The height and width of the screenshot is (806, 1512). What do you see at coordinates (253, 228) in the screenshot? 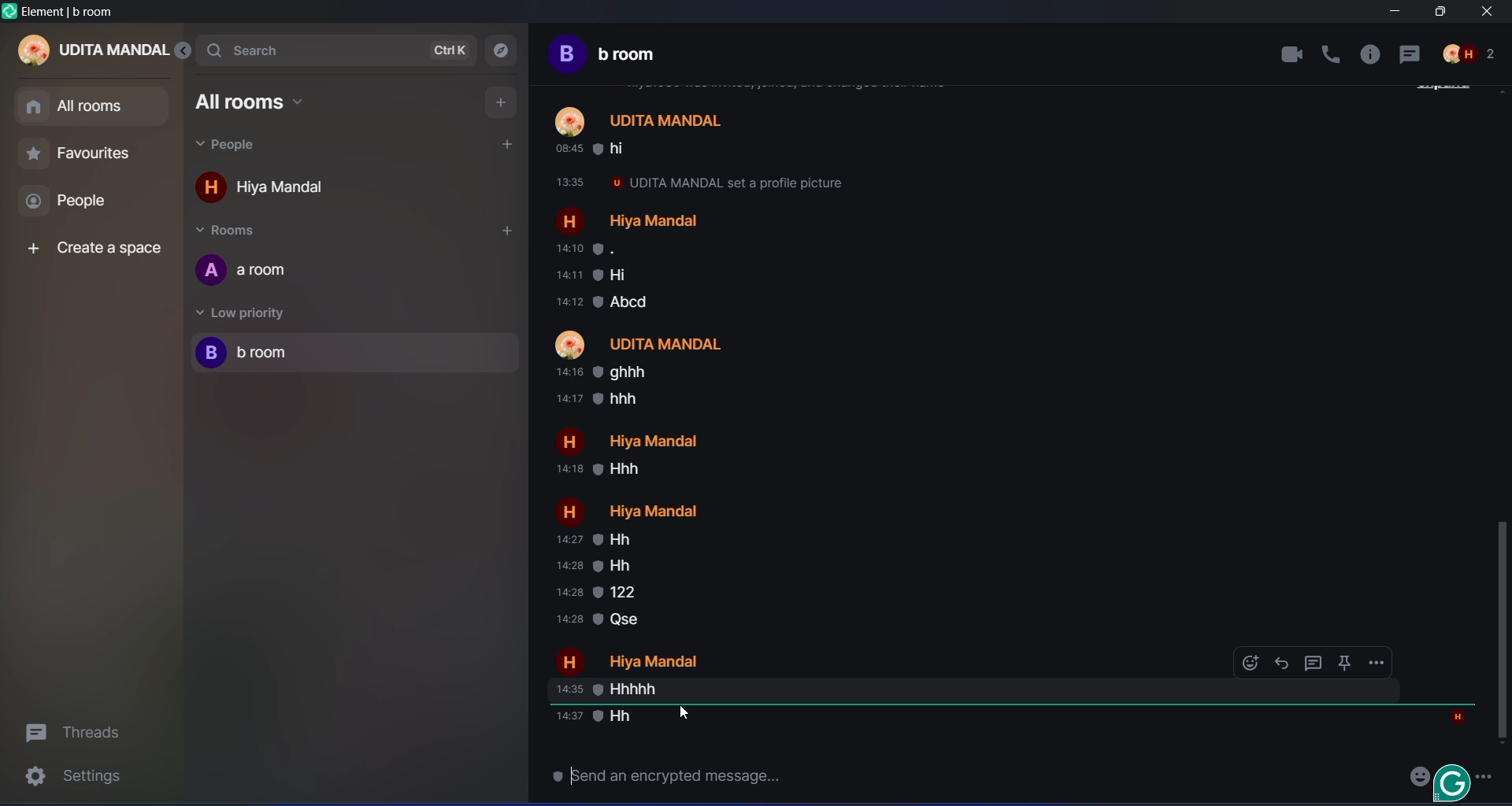
I see `rooms` at bounding box center [253, 228].